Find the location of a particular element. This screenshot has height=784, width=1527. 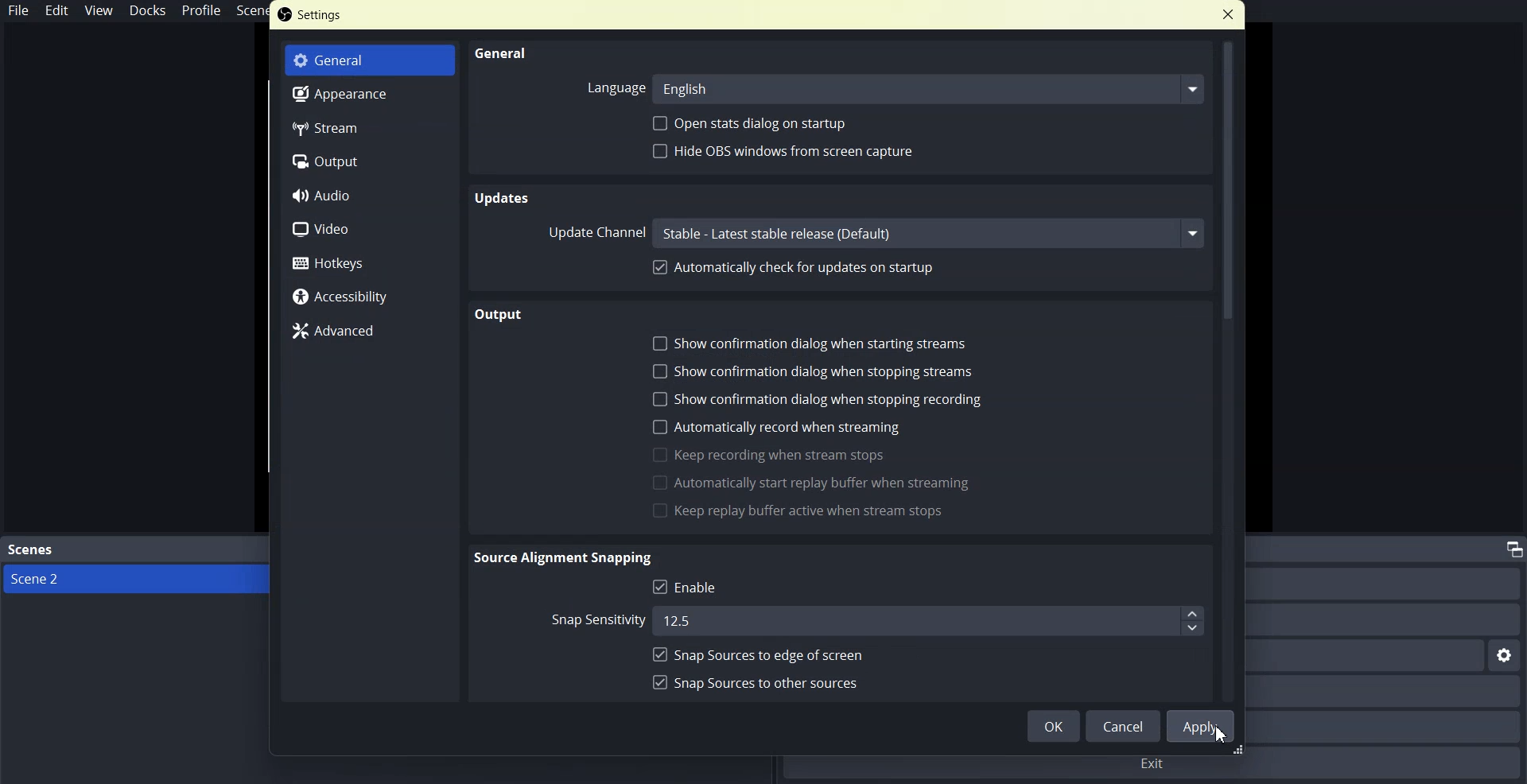

Show confirmation dialogue when stopping streams is located at coordinates (812, 371).